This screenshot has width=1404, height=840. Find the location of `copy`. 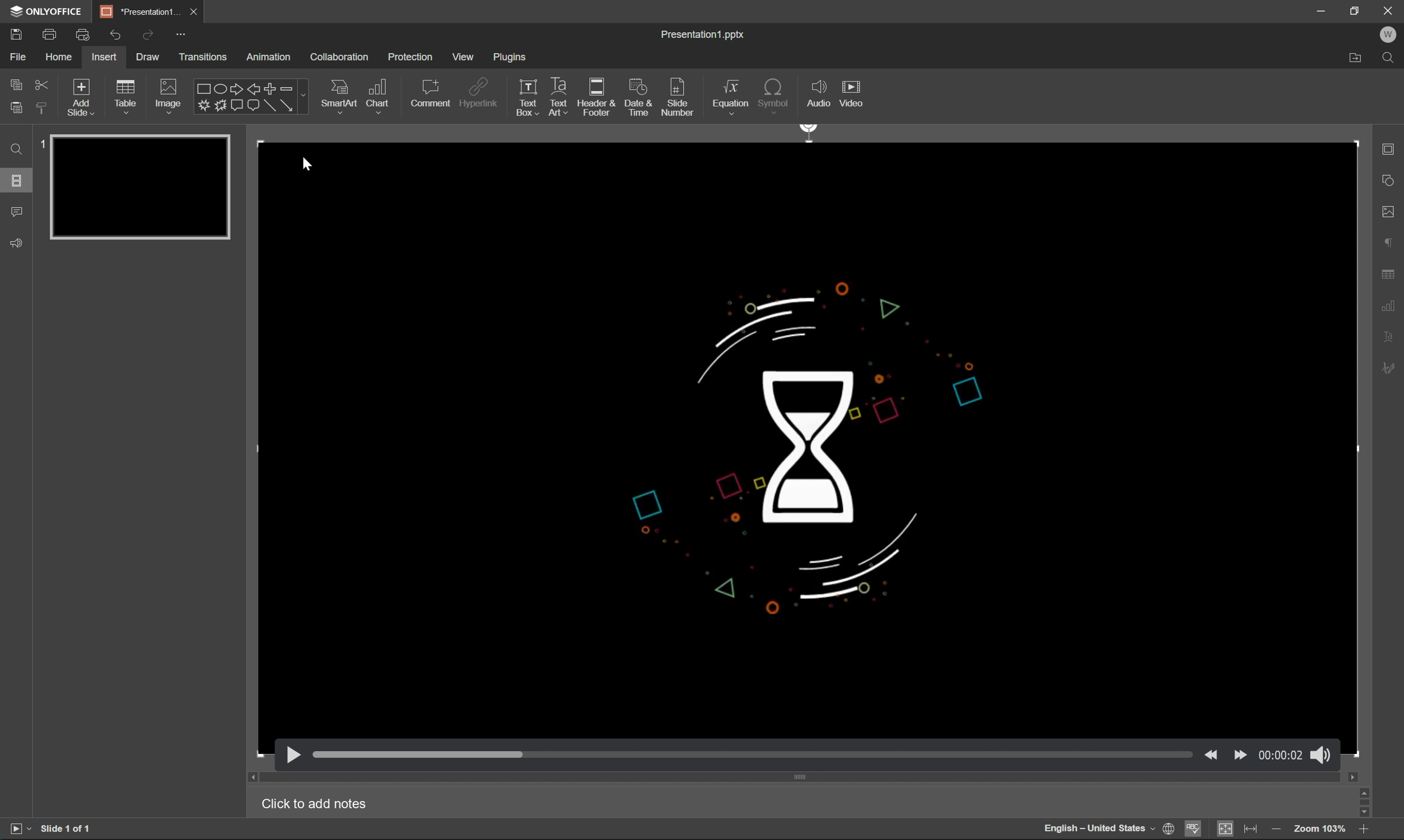

copy is located at coordinates (17, 84).